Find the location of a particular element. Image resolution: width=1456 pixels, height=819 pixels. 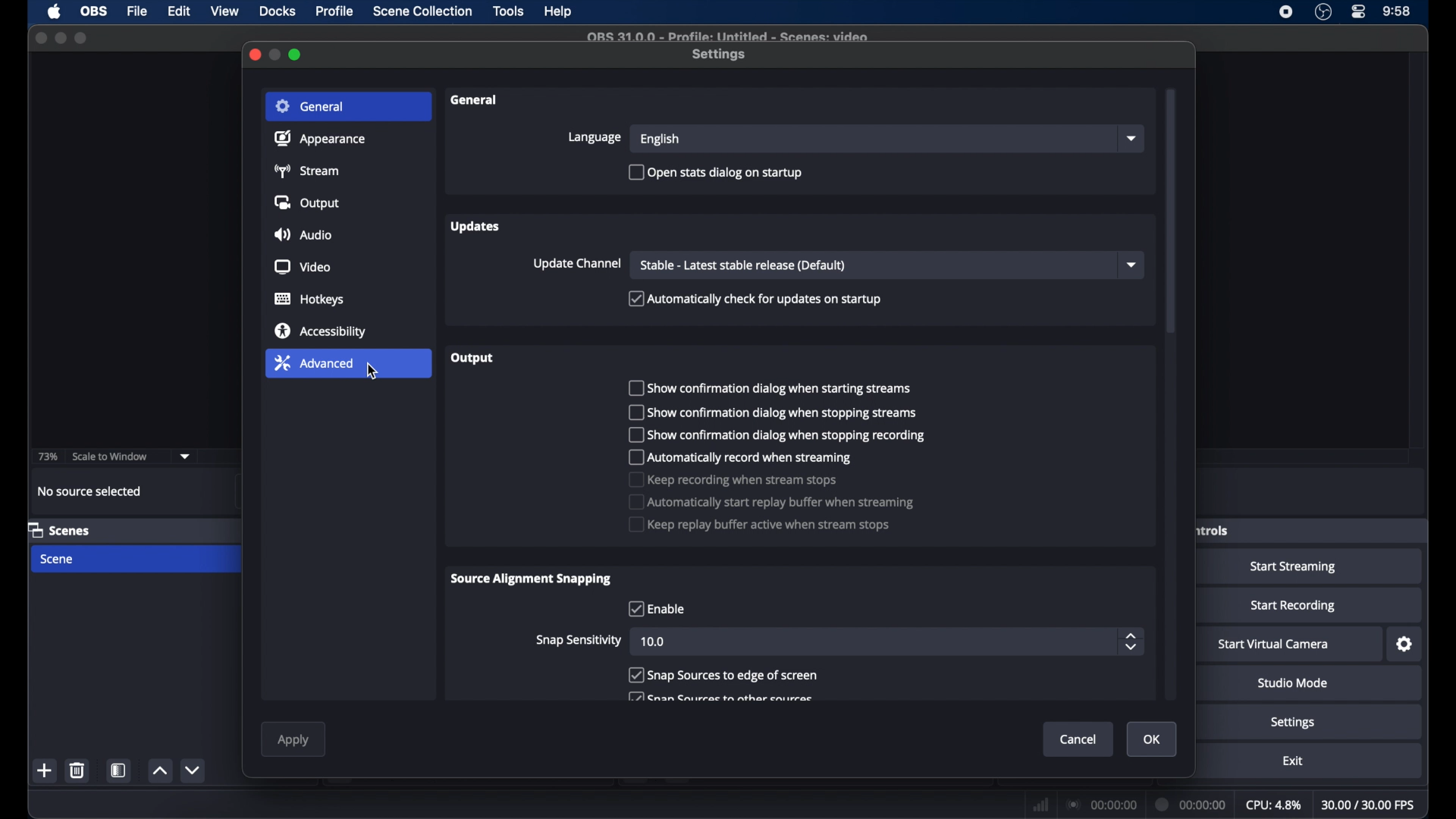

checkbox is located at coordinates (723, 675).